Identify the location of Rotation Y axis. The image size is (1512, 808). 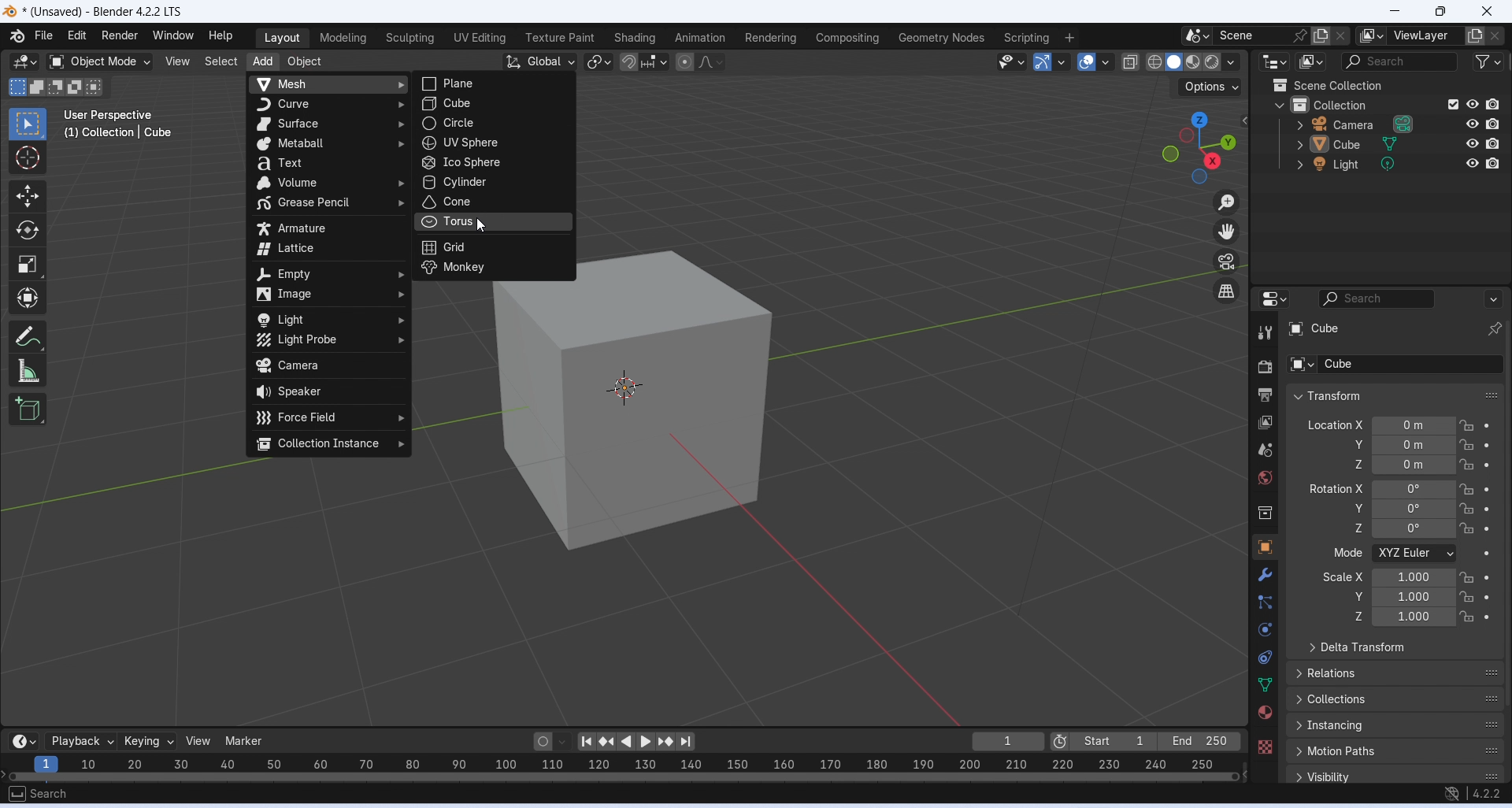
(1358, 509).